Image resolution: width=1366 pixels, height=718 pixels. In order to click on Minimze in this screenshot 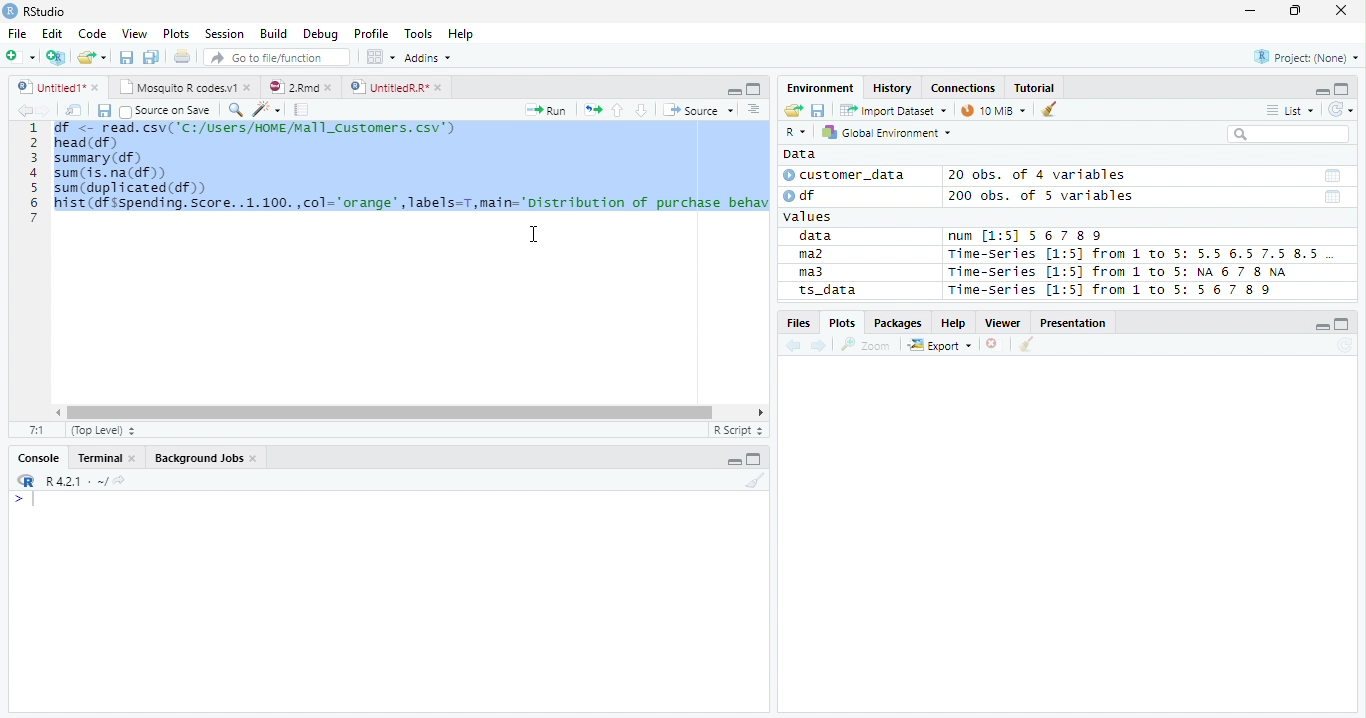, I will do `click(1320, 90)`.